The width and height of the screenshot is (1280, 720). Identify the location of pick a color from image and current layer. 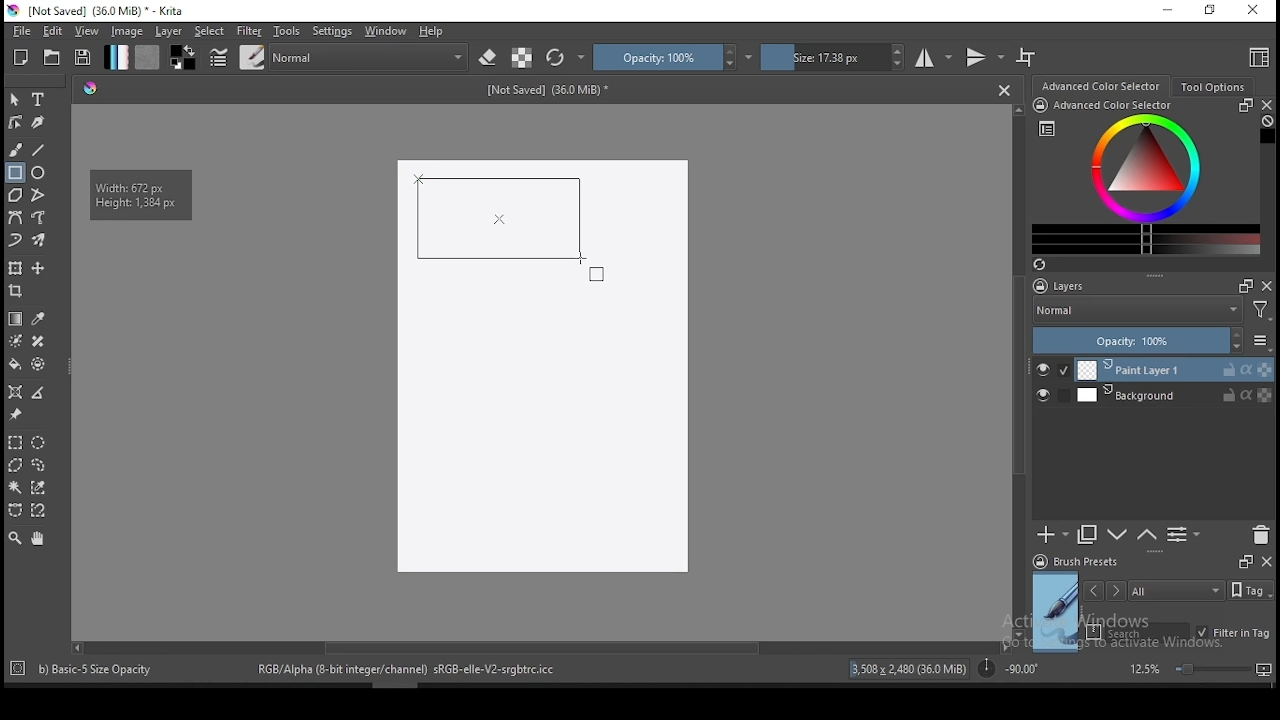
(39, 319).